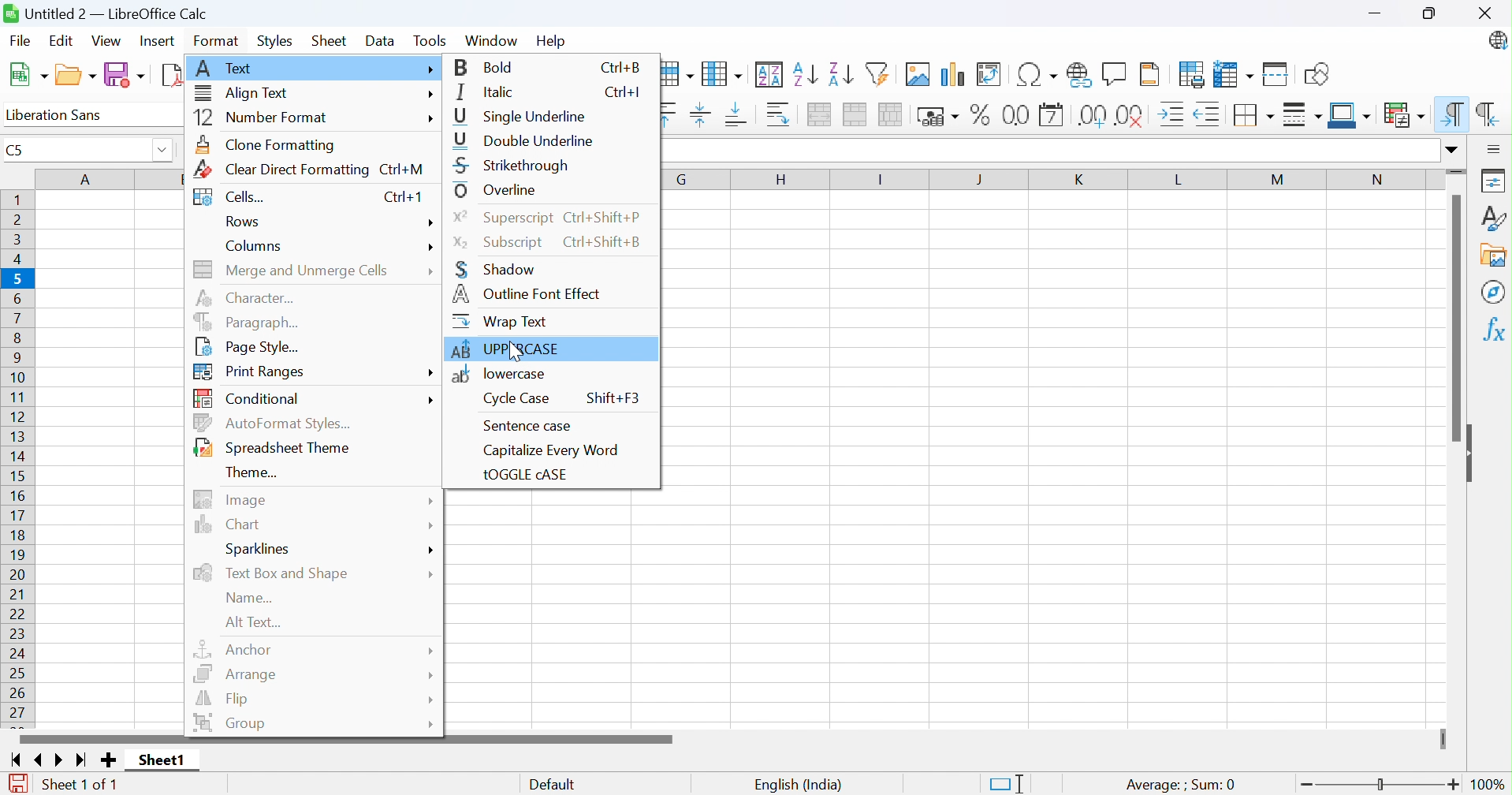 The image size is (1512, 795). What do you see at coordinates (344, 739) in the screenshot?
I see `Scroll bar` at bounding box center [344, 739].